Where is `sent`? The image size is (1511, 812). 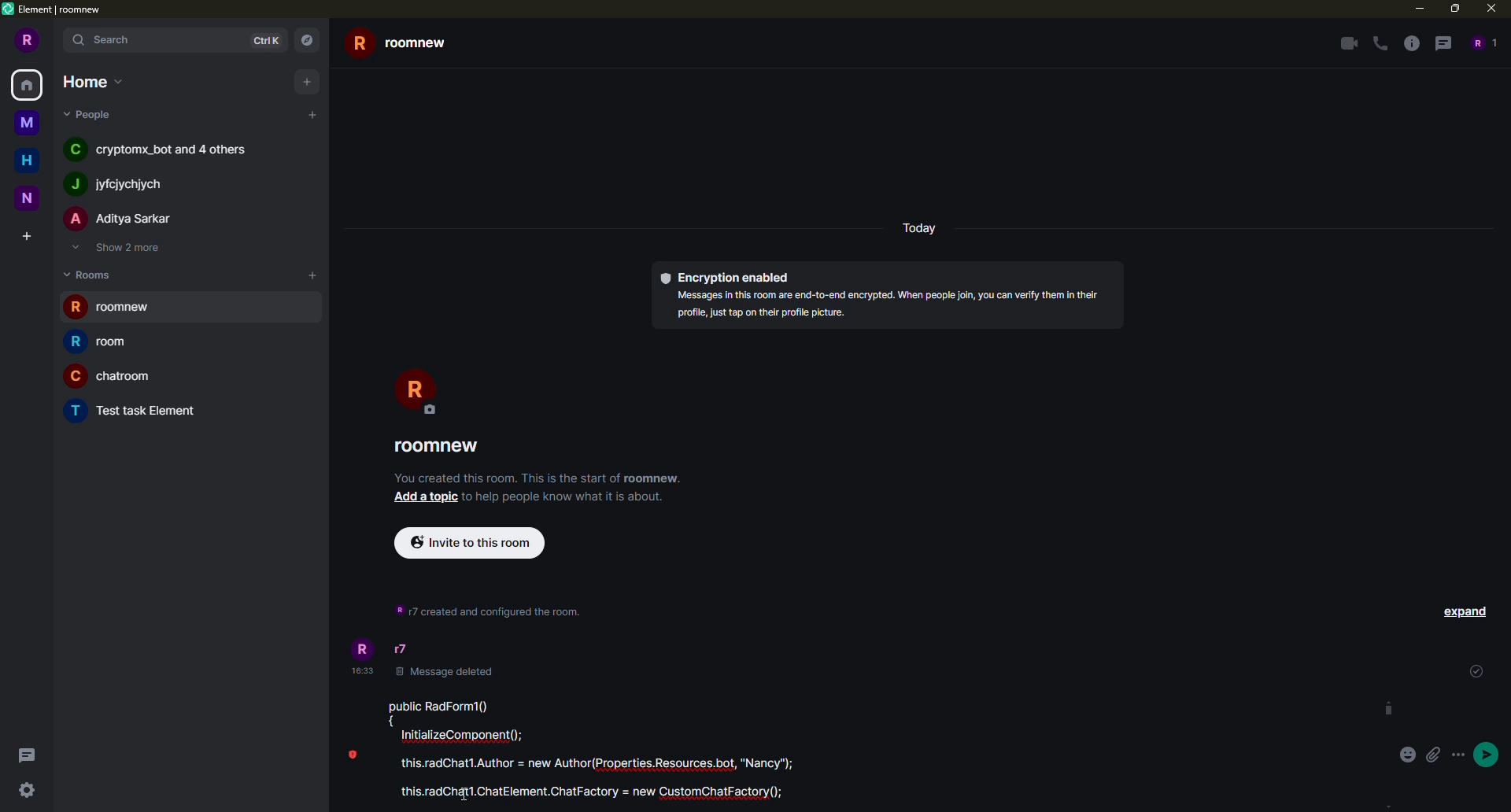
sent is located at coordinates (1470, 669).